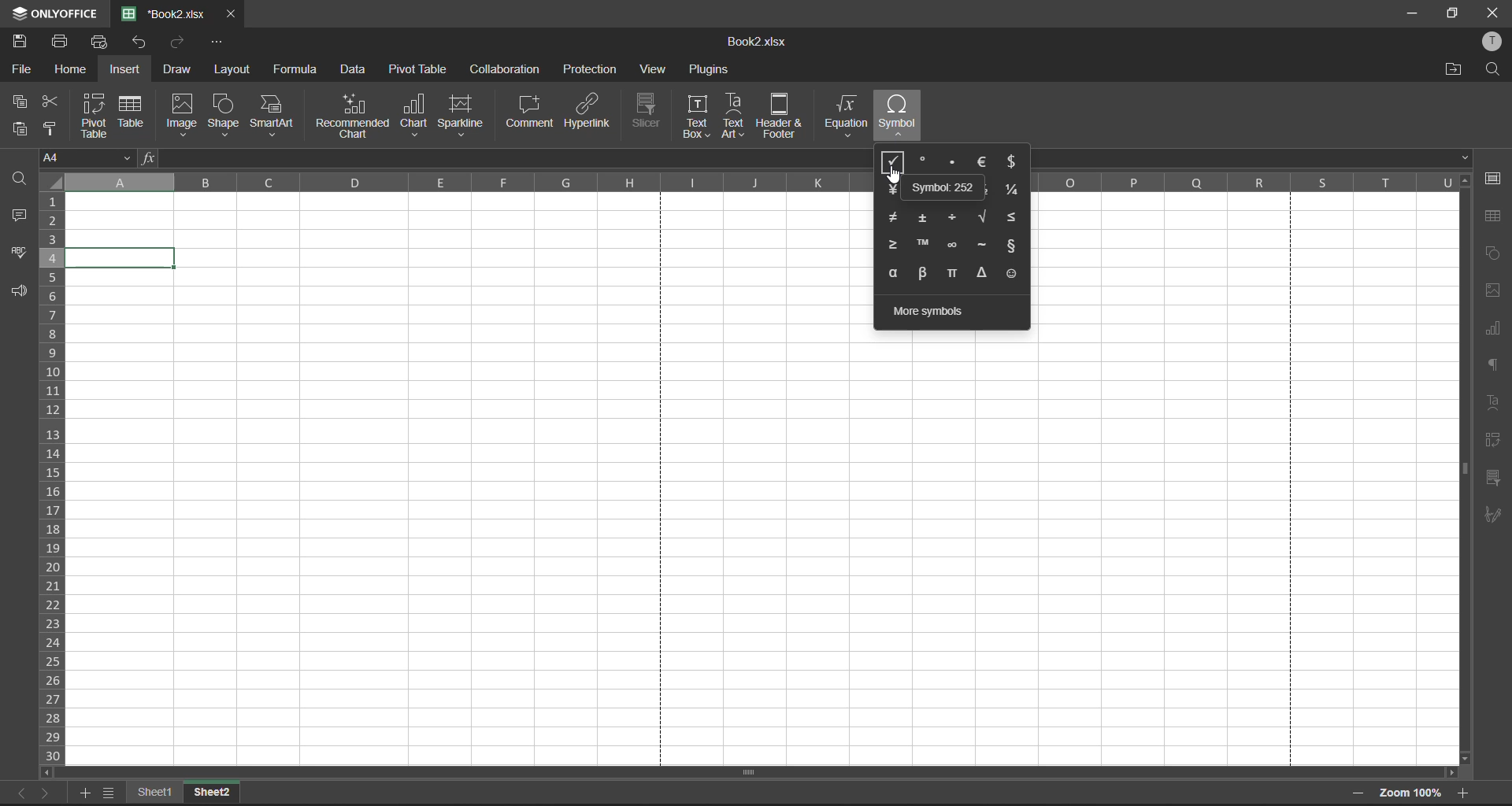 This screenshot has width=1512, height=806. What do you see at coordinates (845, 115) in the screenshot?
I see `equation` at bounding box center [845, 115].